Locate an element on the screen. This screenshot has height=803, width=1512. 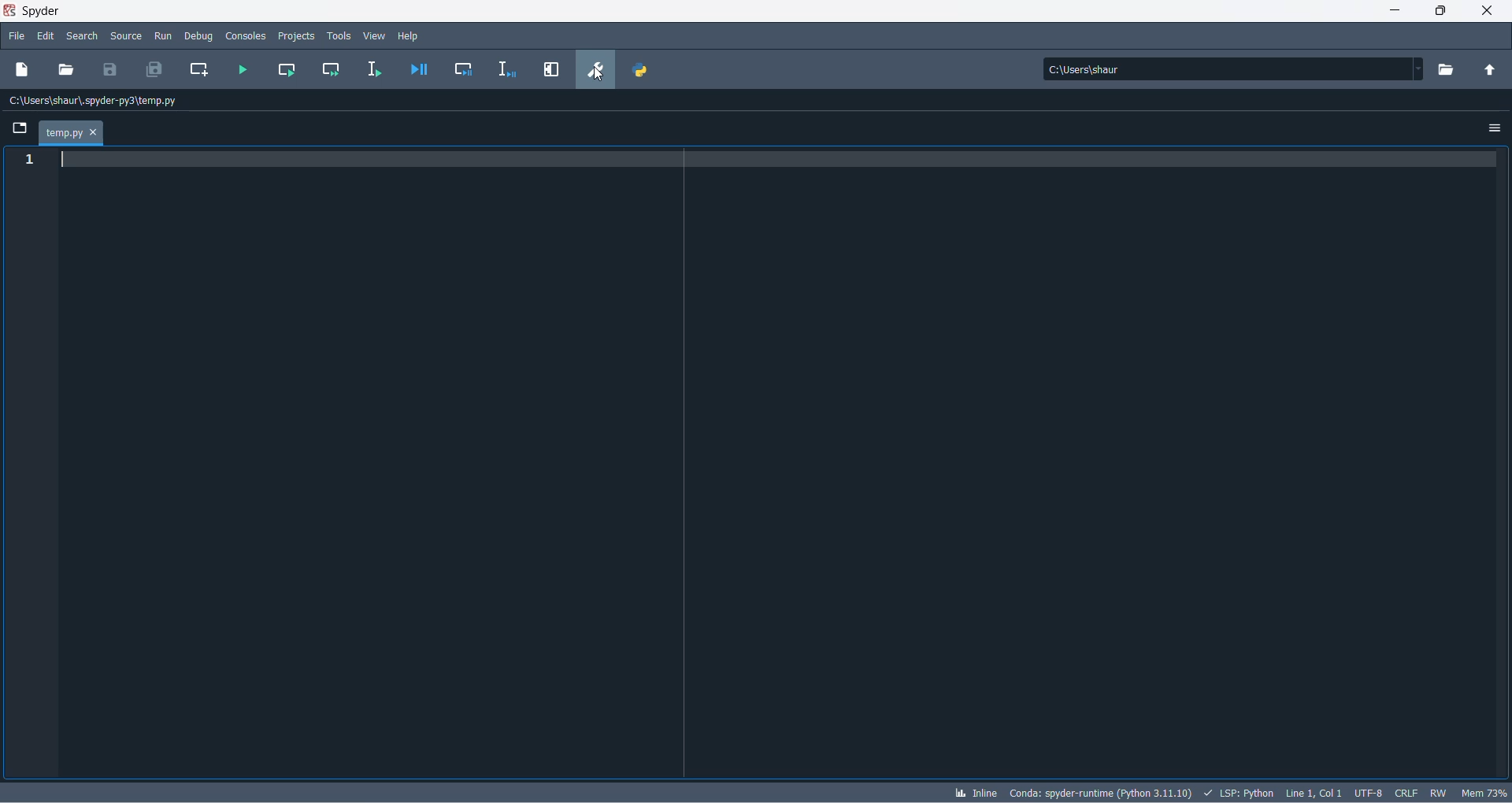
maximize current pane is located at coordinates (552, 70).